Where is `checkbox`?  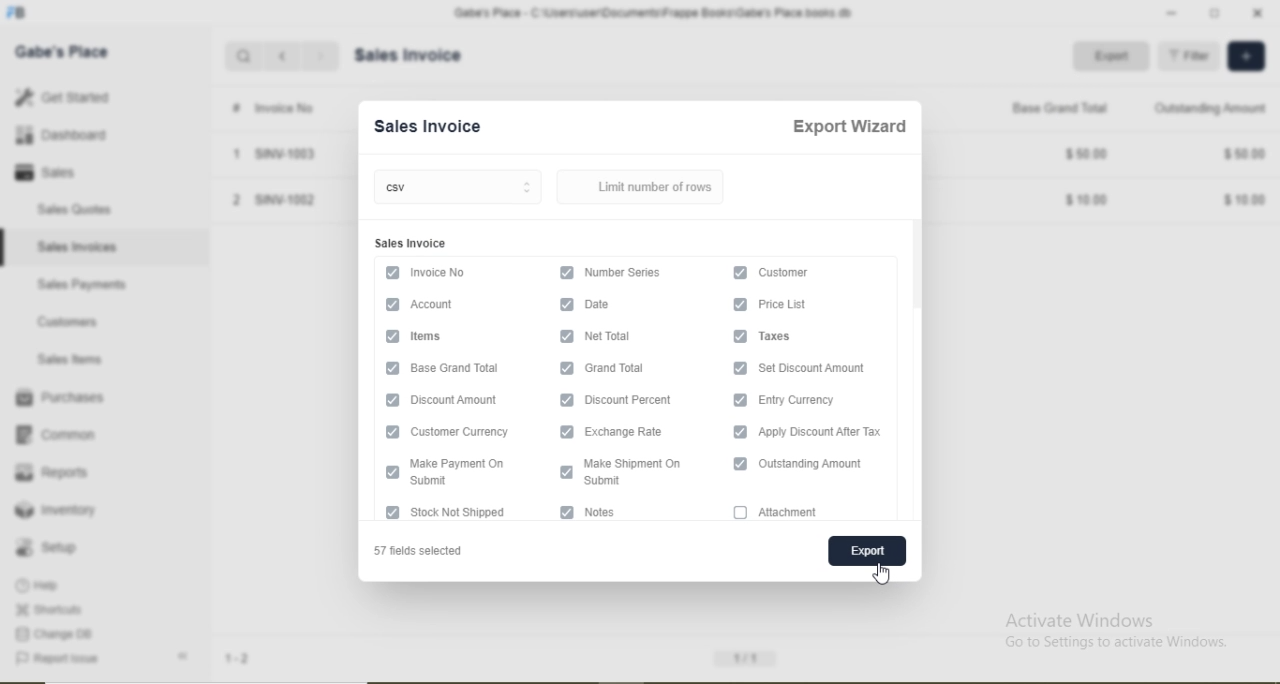 checkbox is located at coordinates (740, 400).